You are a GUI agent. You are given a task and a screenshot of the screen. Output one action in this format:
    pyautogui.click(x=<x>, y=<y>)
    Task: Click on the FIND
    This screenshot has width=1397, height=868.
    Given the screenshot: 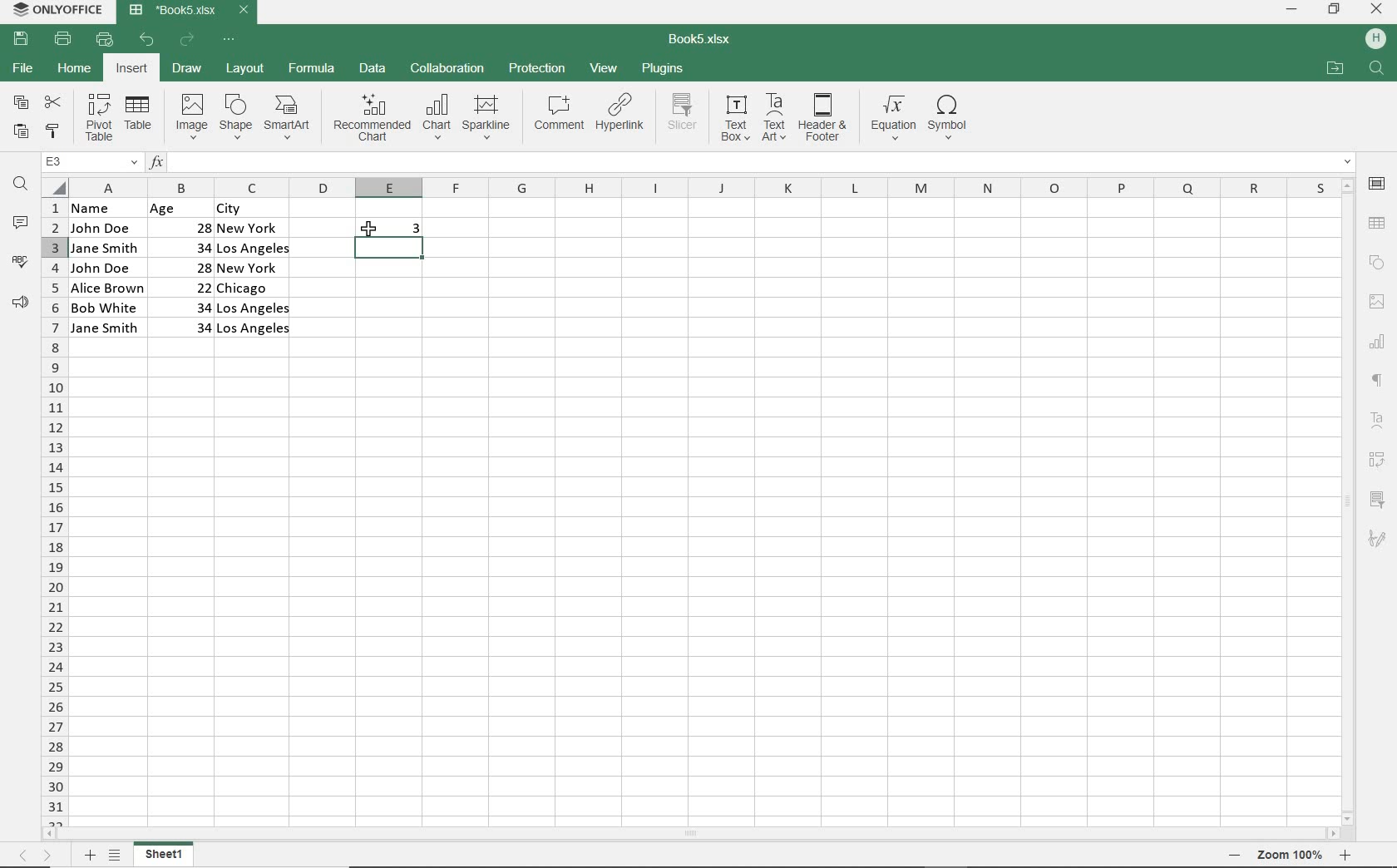 What is the action you would take?
    pyautogui.click(x=1379, y=70)
    